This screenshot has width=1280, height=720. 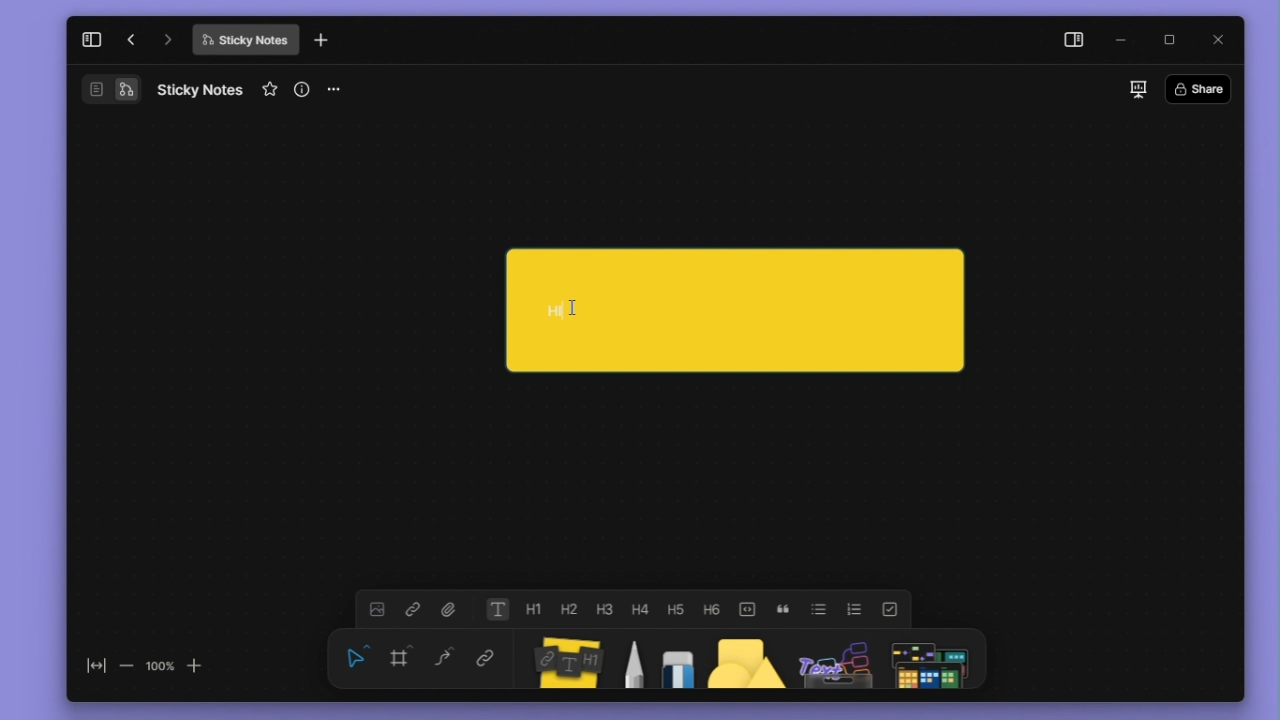 I want to click on new tab, so click(x=330, y=43).